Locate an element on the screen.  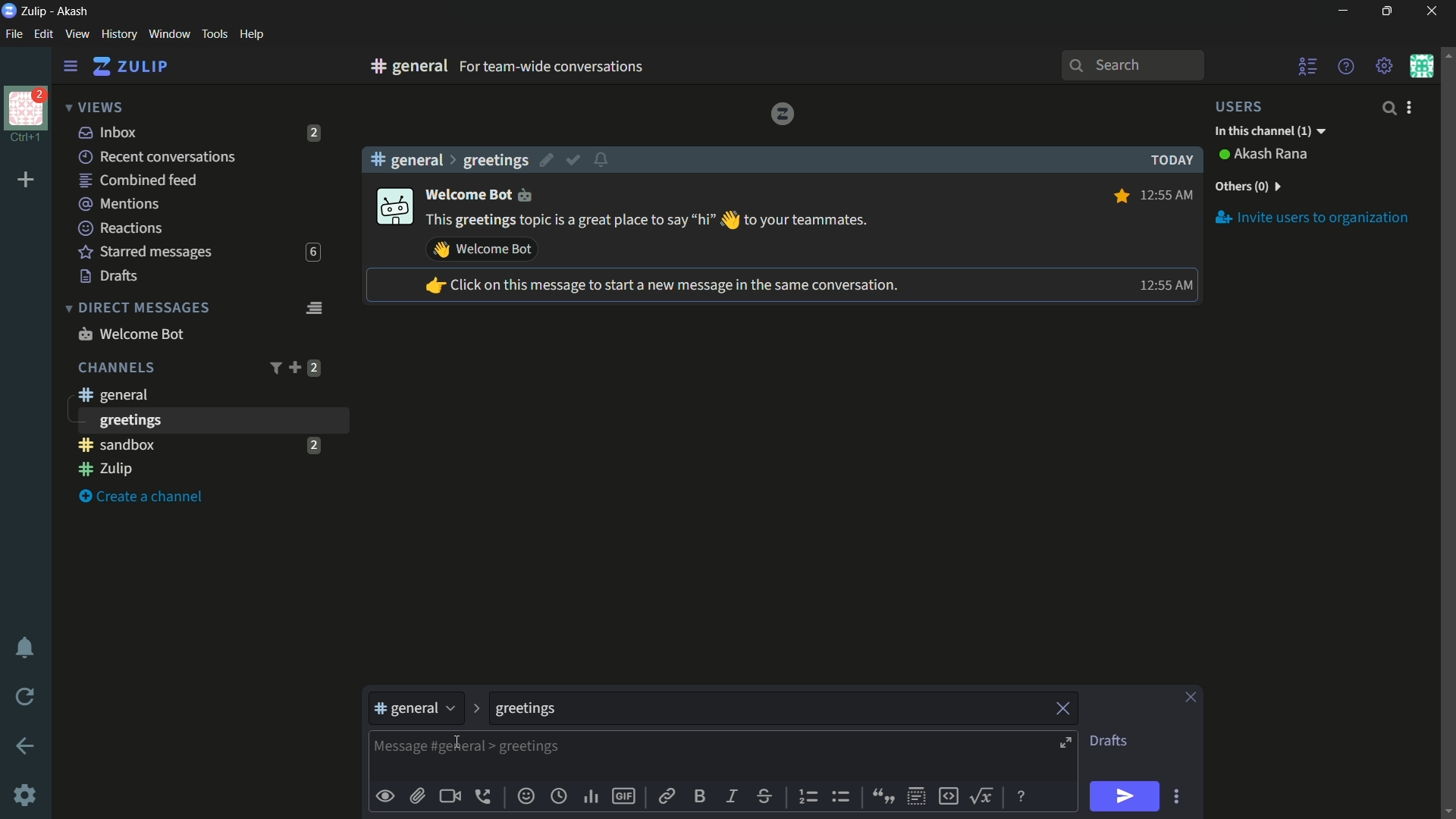
Star is located at coordinates (1119, 196).